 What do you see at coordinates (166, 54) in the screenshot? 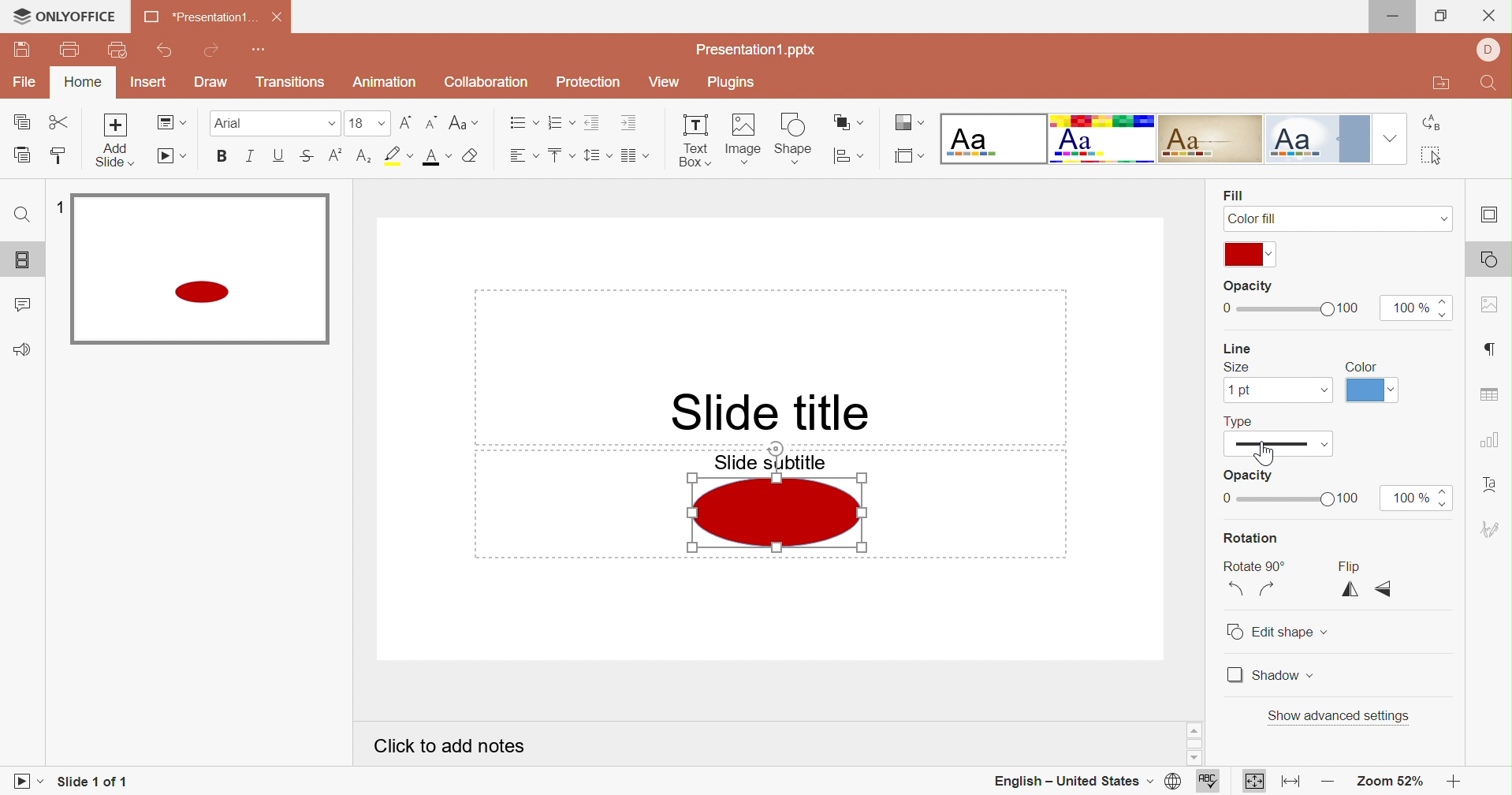
I see `Undo` at bounding box center [166, 54].